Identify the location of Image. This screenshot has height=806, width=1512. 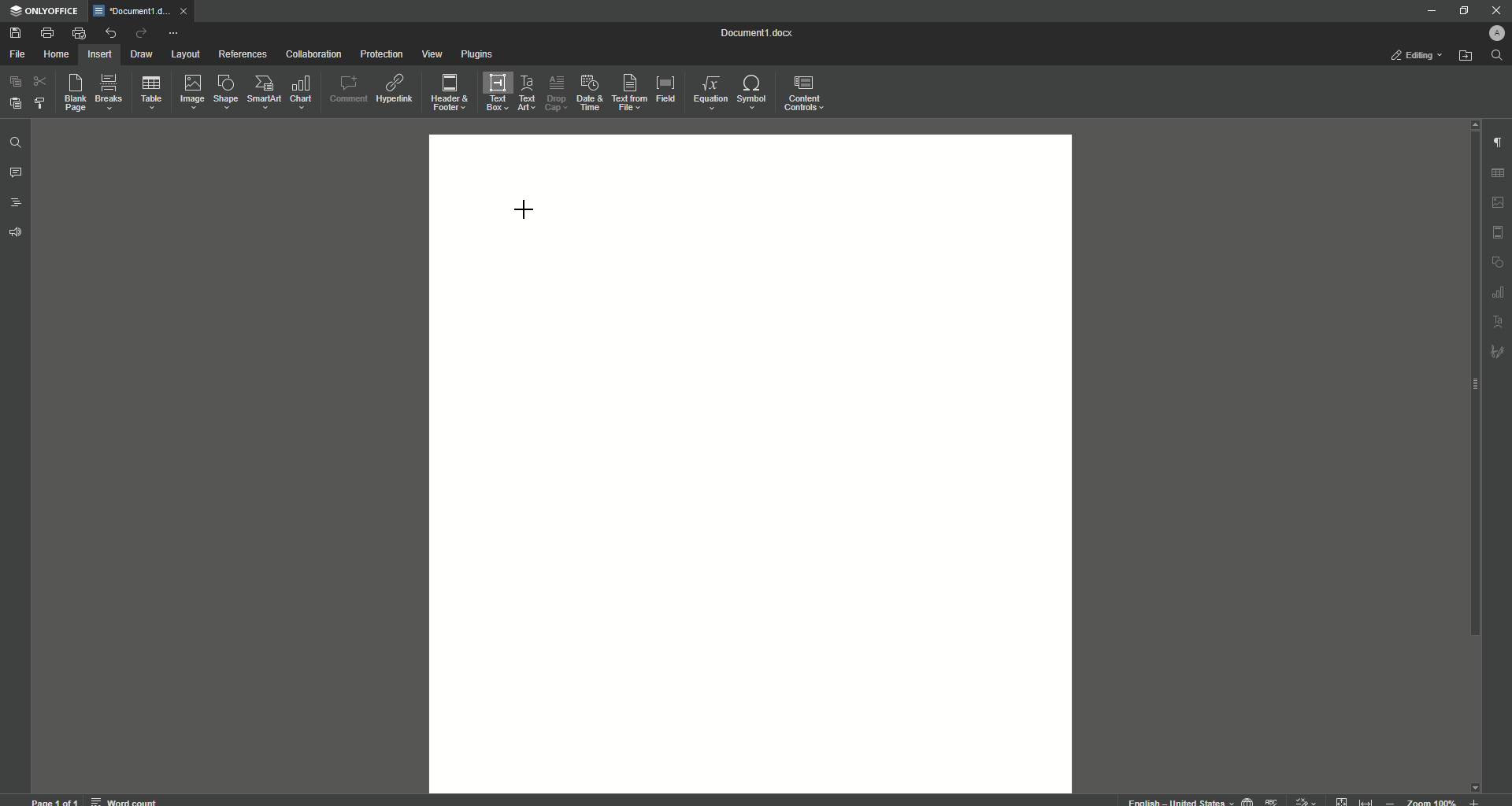
(191, 91).